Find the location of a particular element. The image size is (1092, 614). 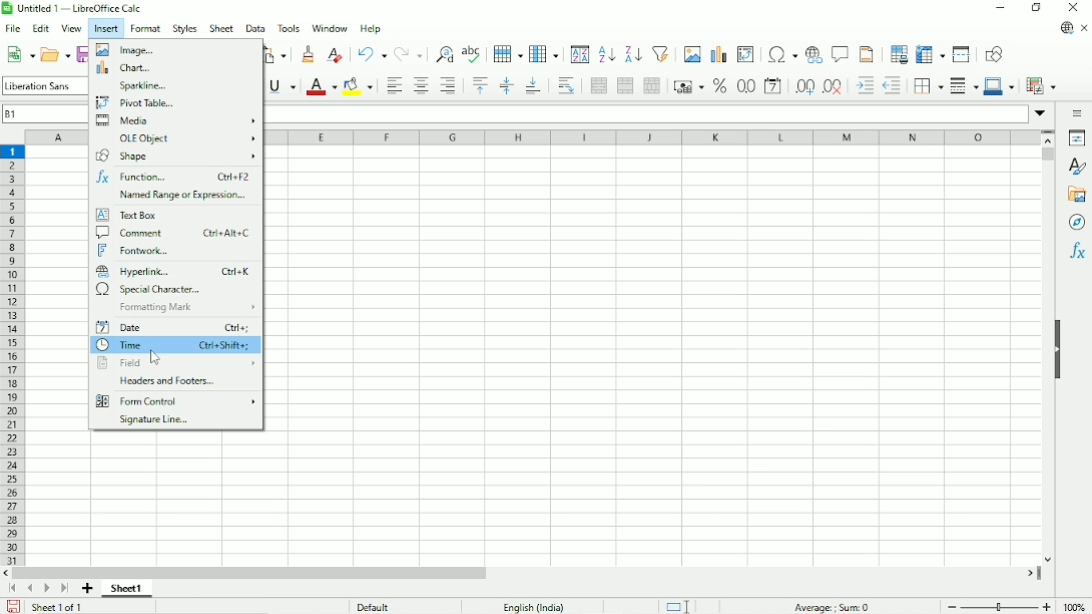

Spell check is located at coordinates (473, 52).